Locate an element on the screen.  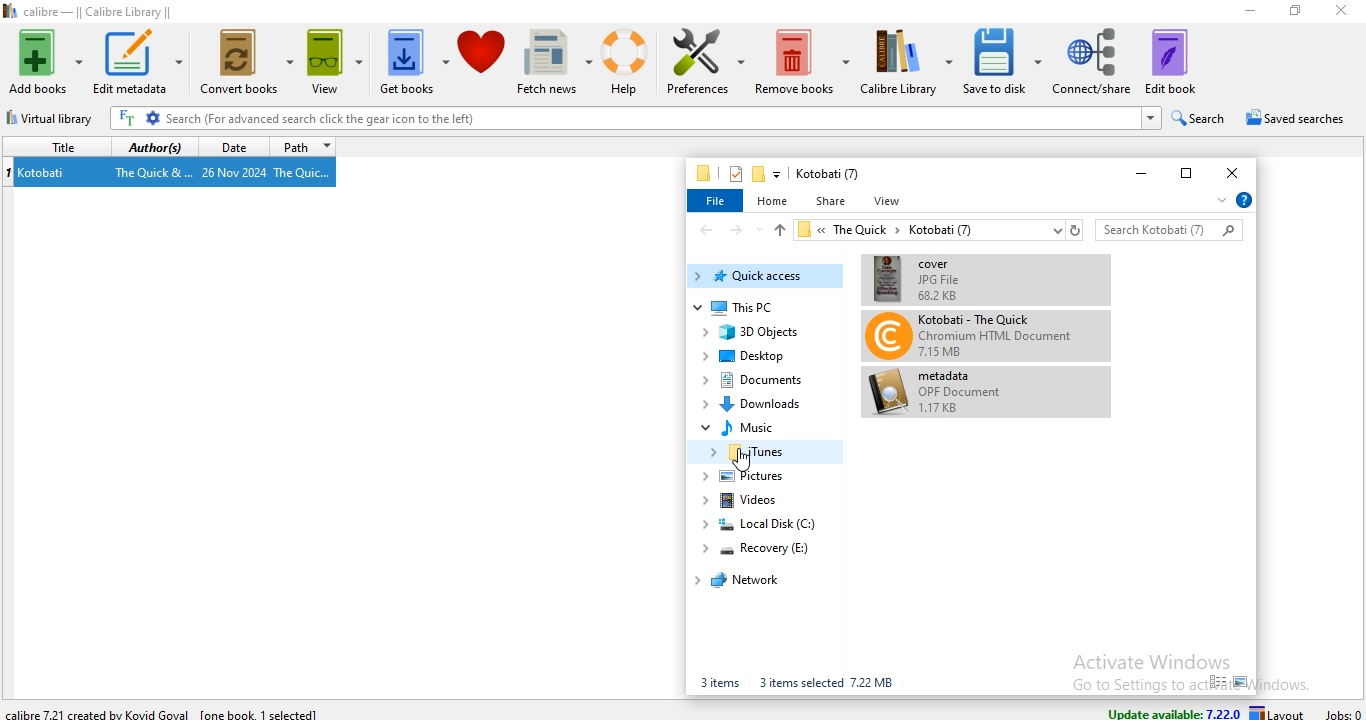
quick access is located at coordinates (765, 277).